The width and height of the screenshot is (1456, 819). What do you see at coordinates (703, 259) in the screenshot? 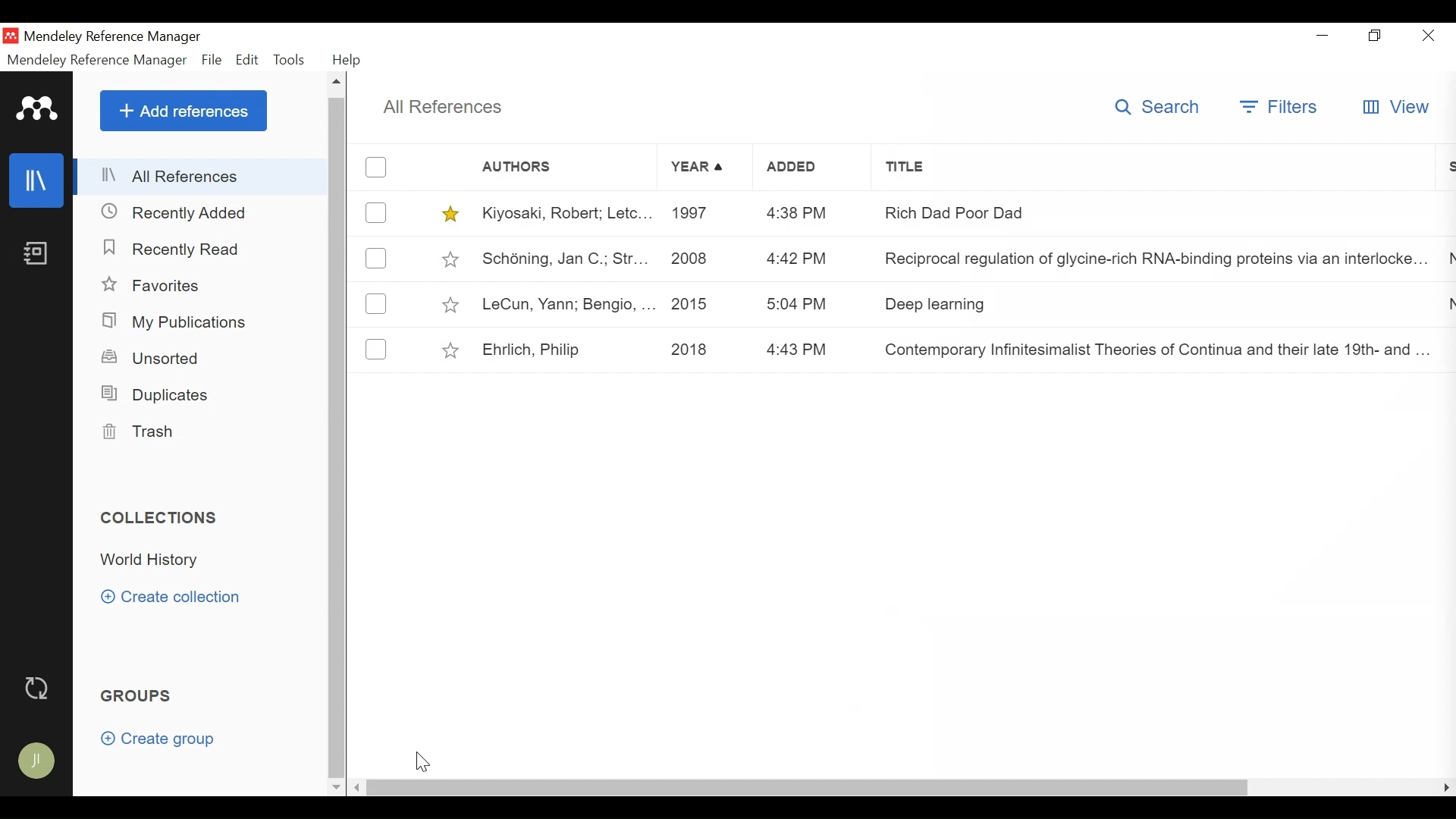
I see `2008` at bounding box center [703, 259].